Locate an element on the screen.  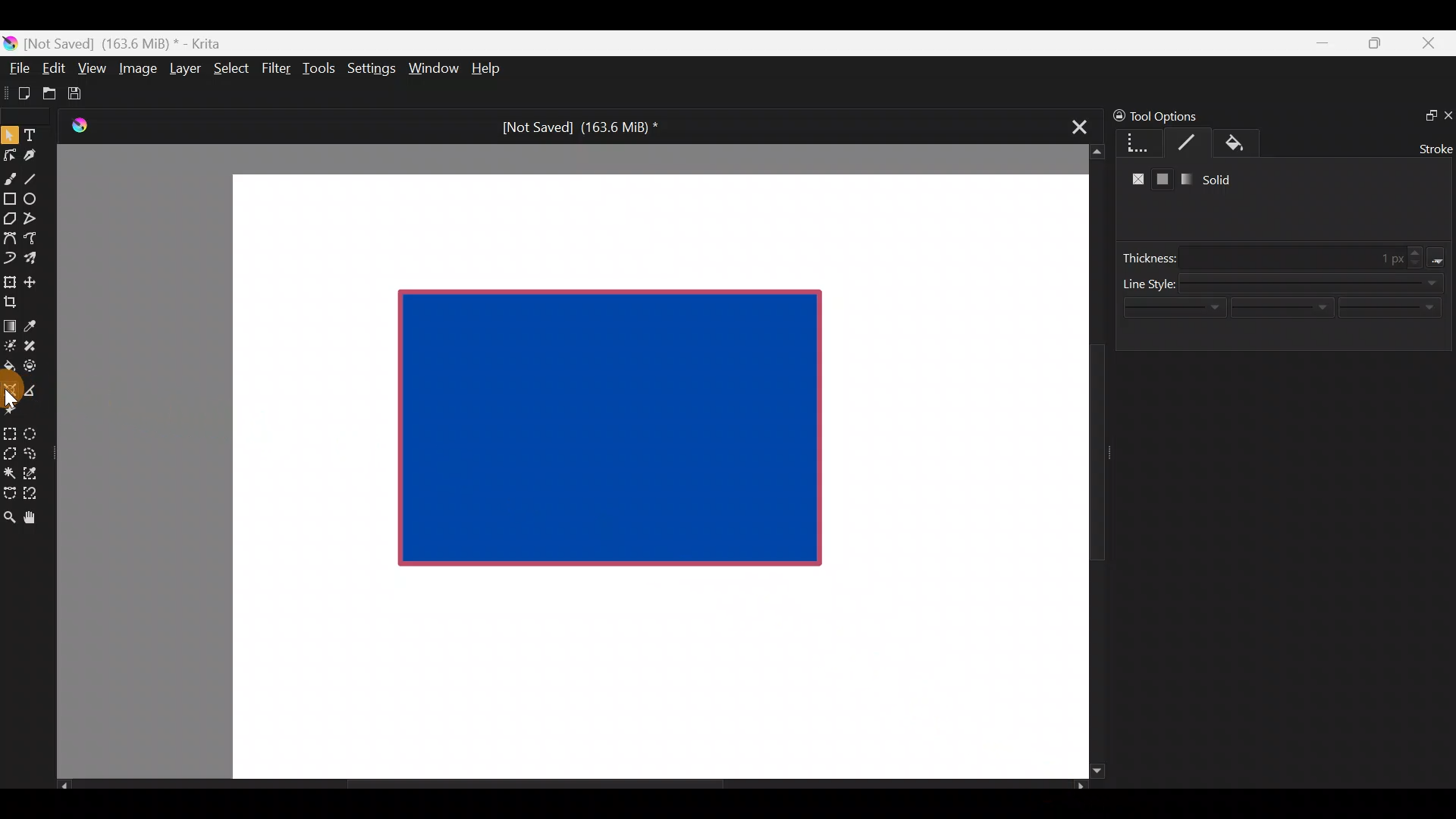
Image is located at coordinates (137, 68).